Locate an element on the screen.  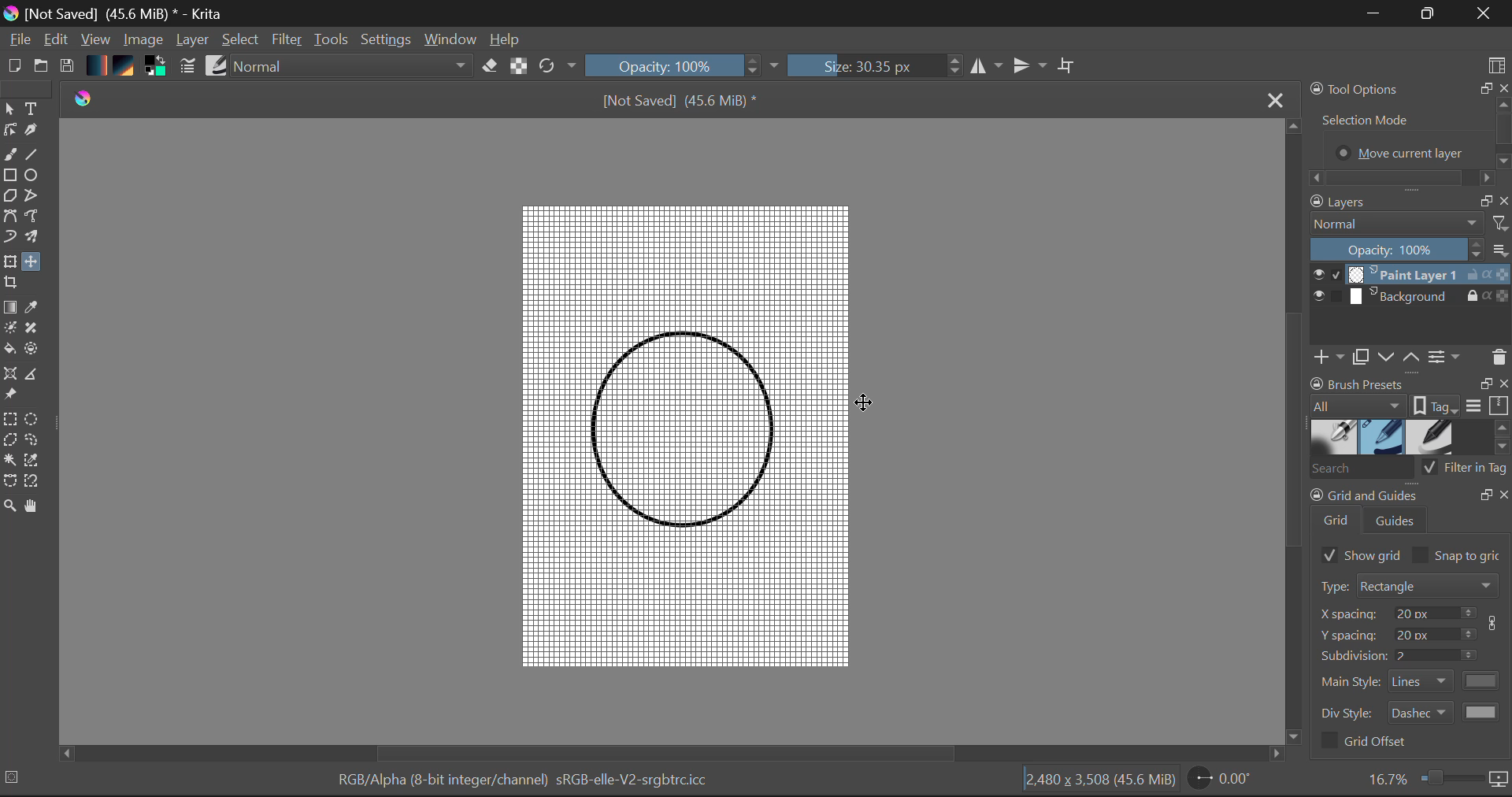
File is located at coordinates (18, 39).